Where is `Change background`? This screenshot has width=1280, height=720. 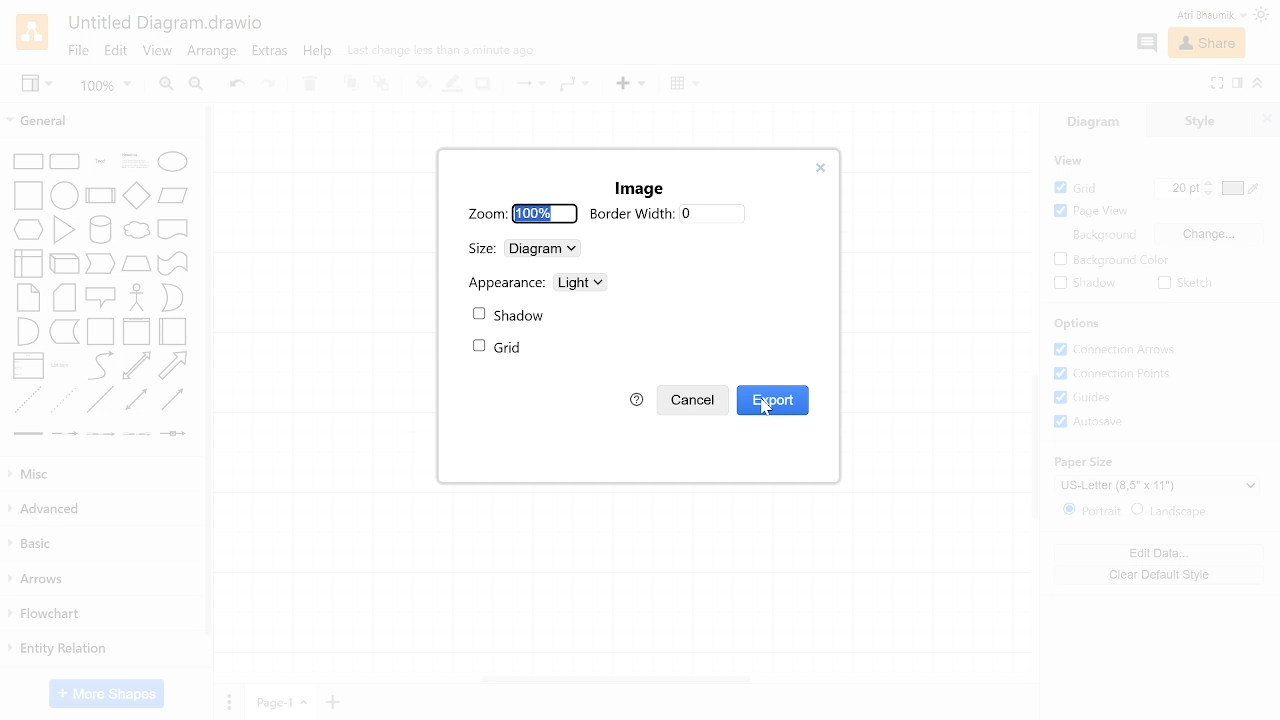
Change background is located at coordinates (1208, 234).